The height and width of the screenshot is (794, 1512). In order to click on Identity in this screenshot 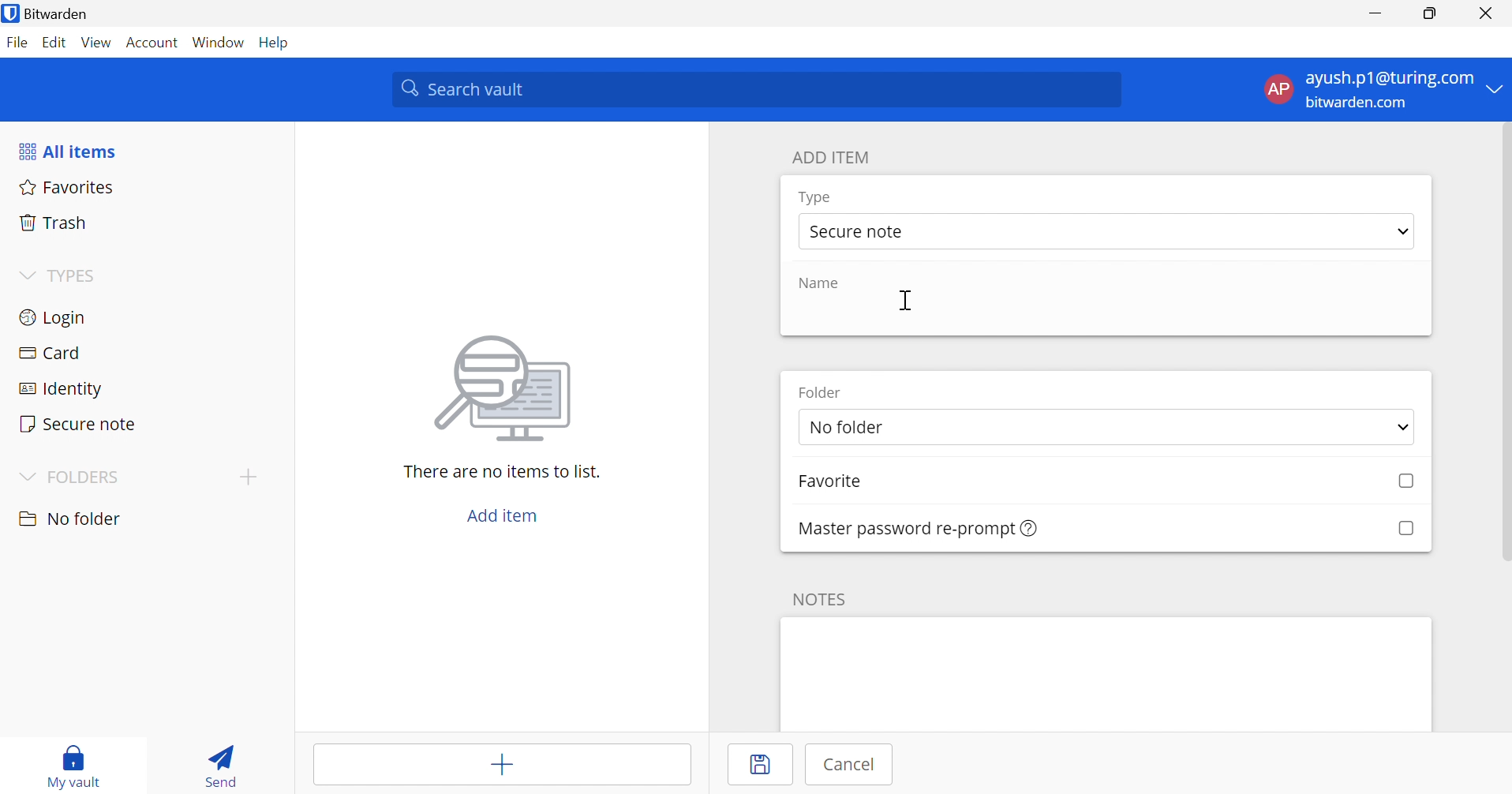, I will do `click(59, 389)`.